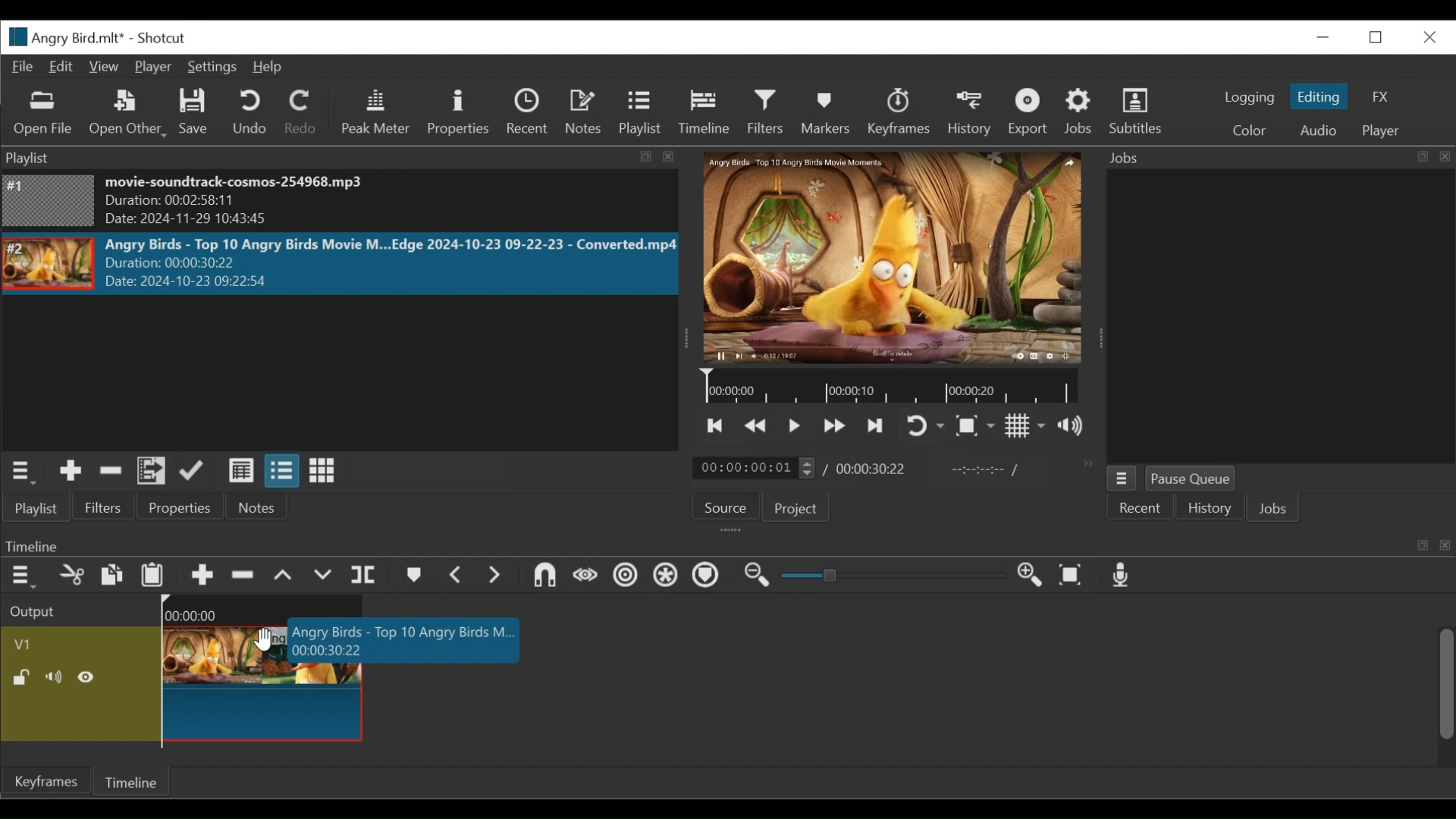 The width and height of the screenshot is (1456, 819). I want to click on Markers, so click(826, 112).